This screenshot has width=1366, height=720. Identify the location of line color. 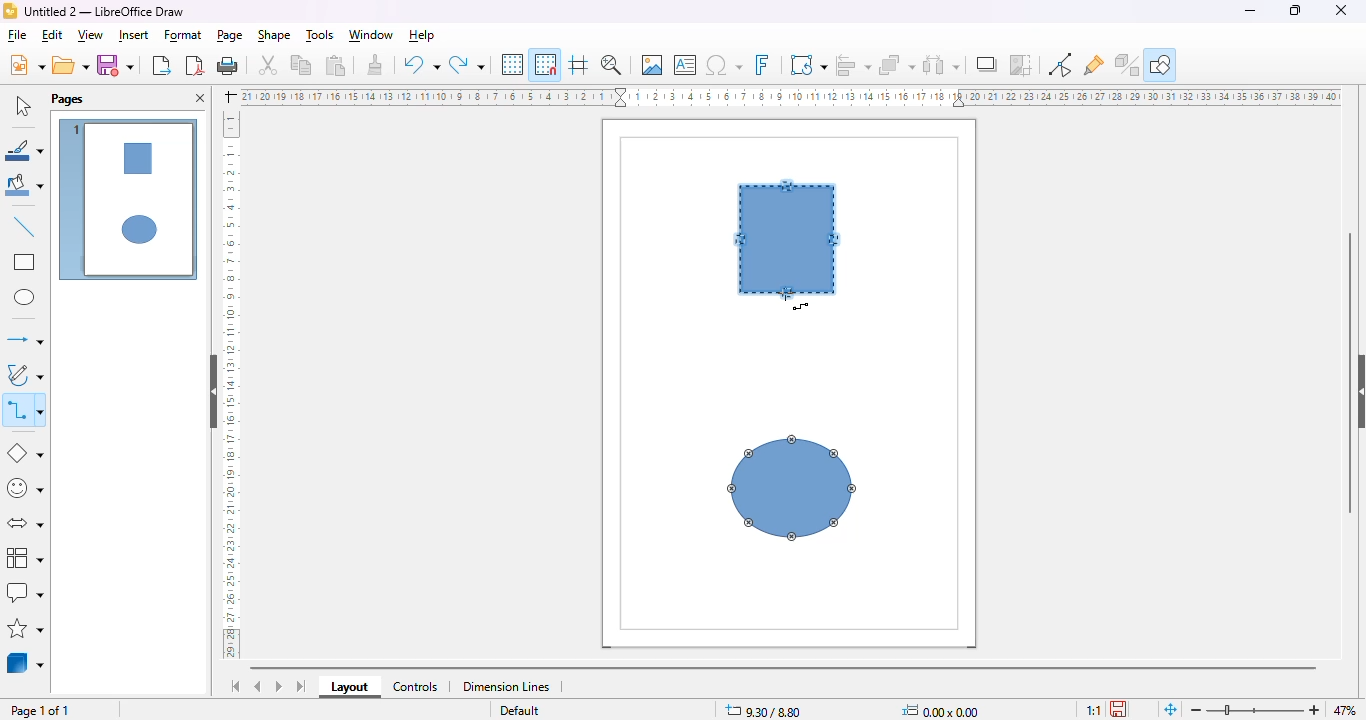
(24, 150).